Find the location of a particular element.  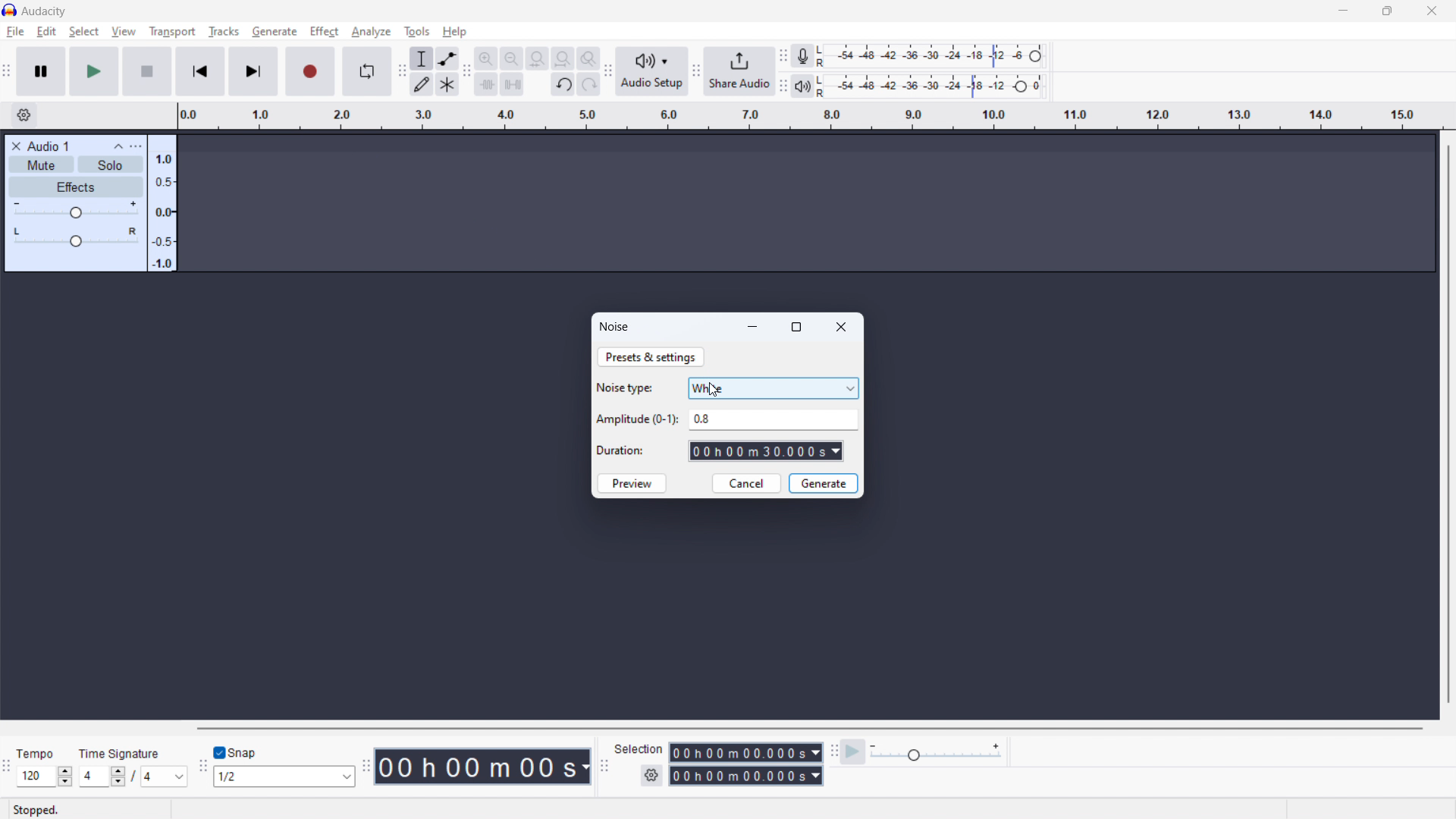

Noise type is located at coordinates (627, 388).